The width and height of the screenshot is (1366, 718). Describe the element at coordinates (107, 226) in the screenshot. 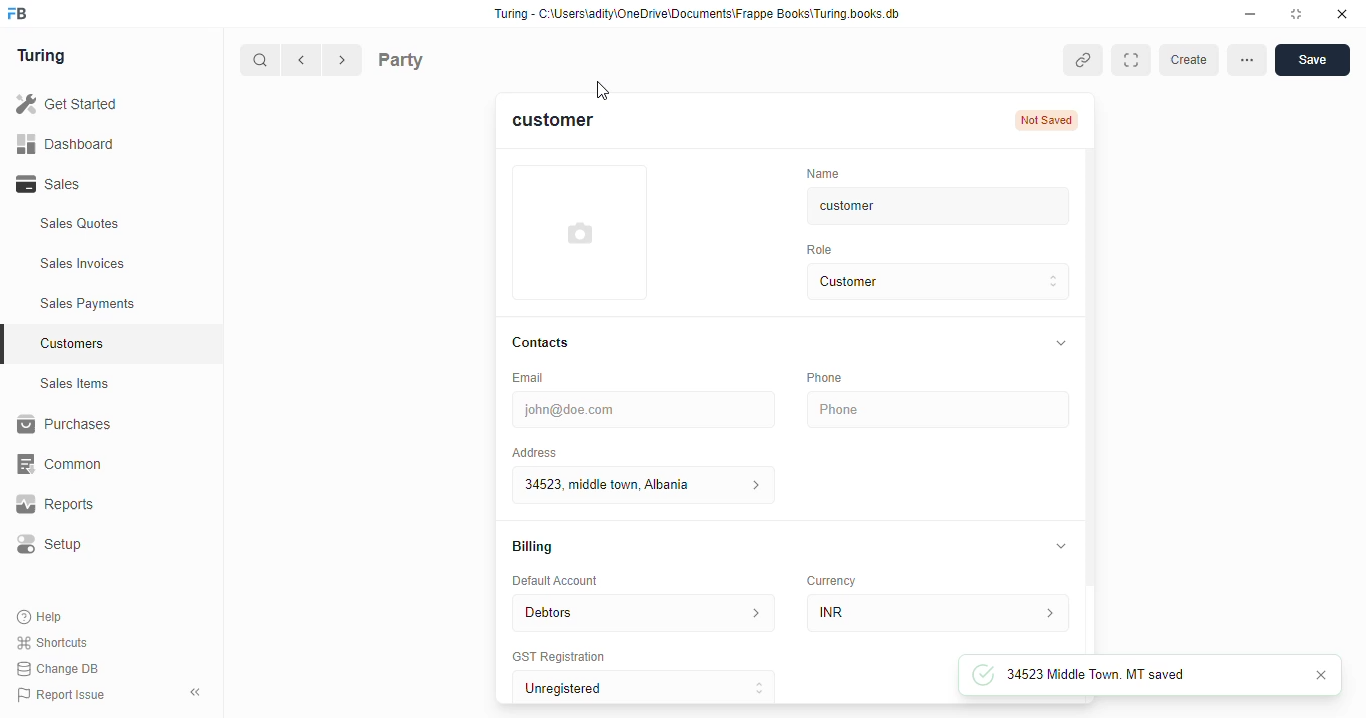

I see `Sales Quotes` at that location.